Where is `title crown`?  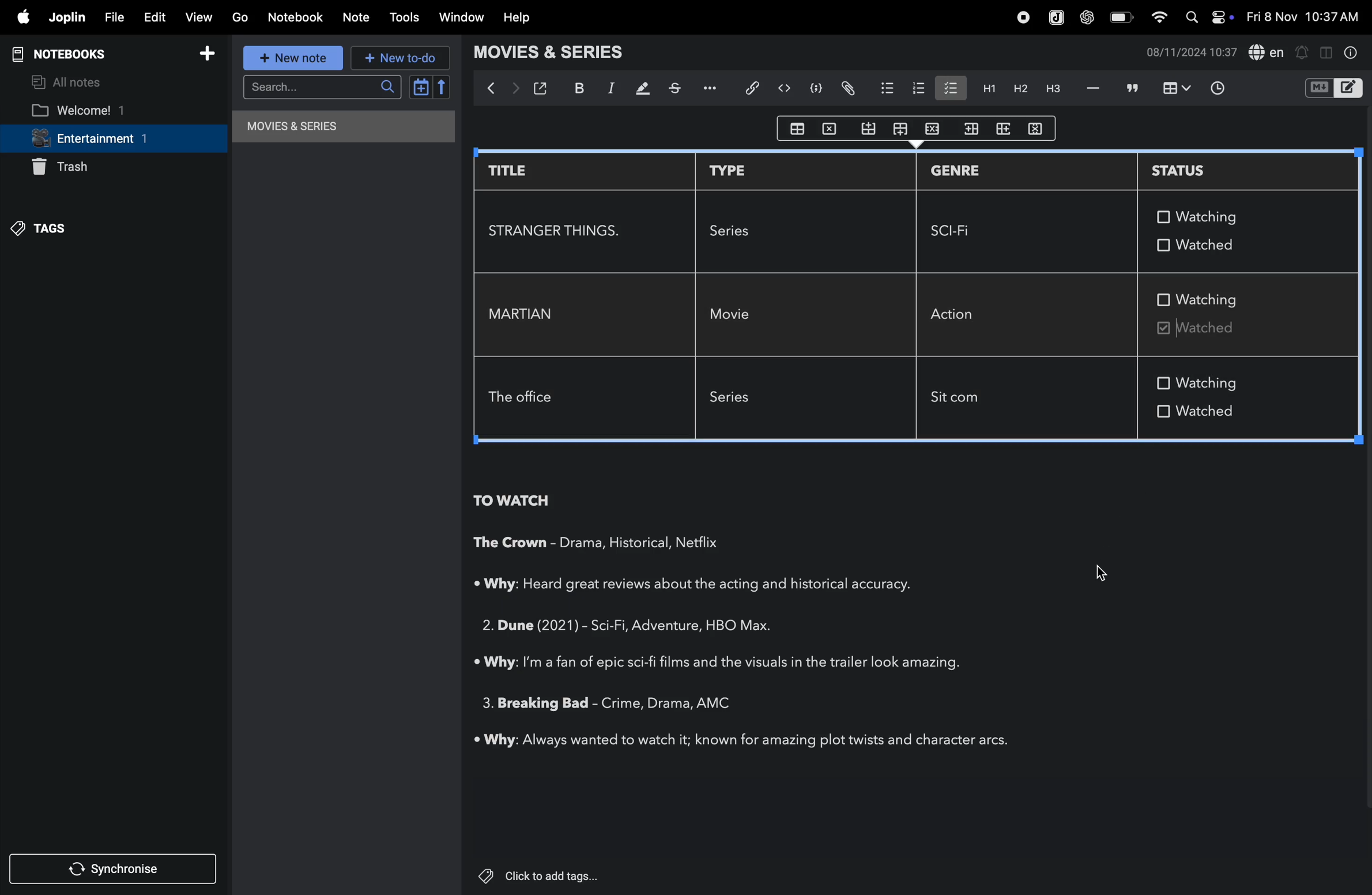 title crown is located at coordinates (511, 545).